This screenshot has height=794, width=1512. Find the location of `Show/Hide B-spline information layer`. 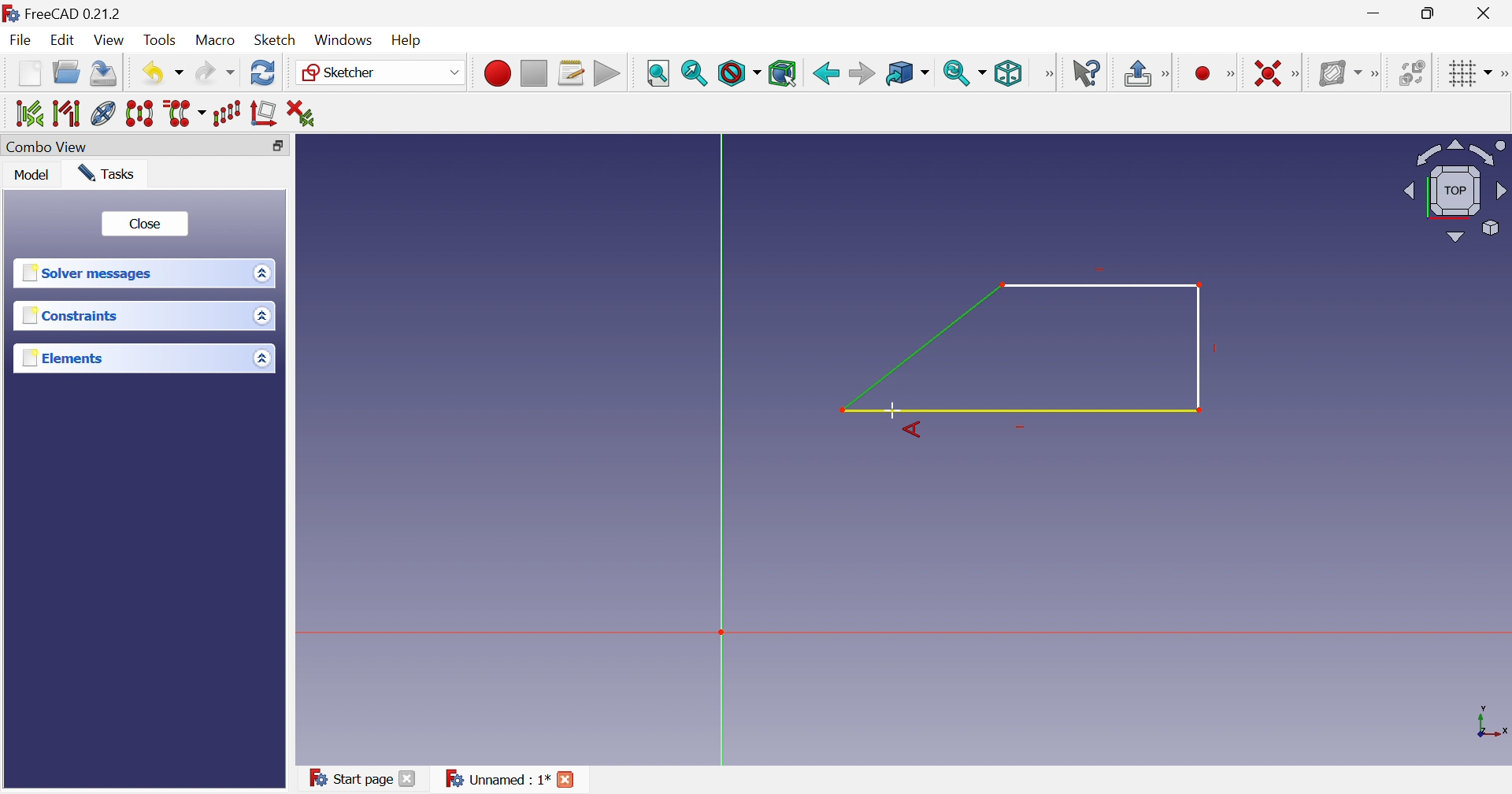

Show/Hide B-spline information layer is located at coordinates (1336, 72).